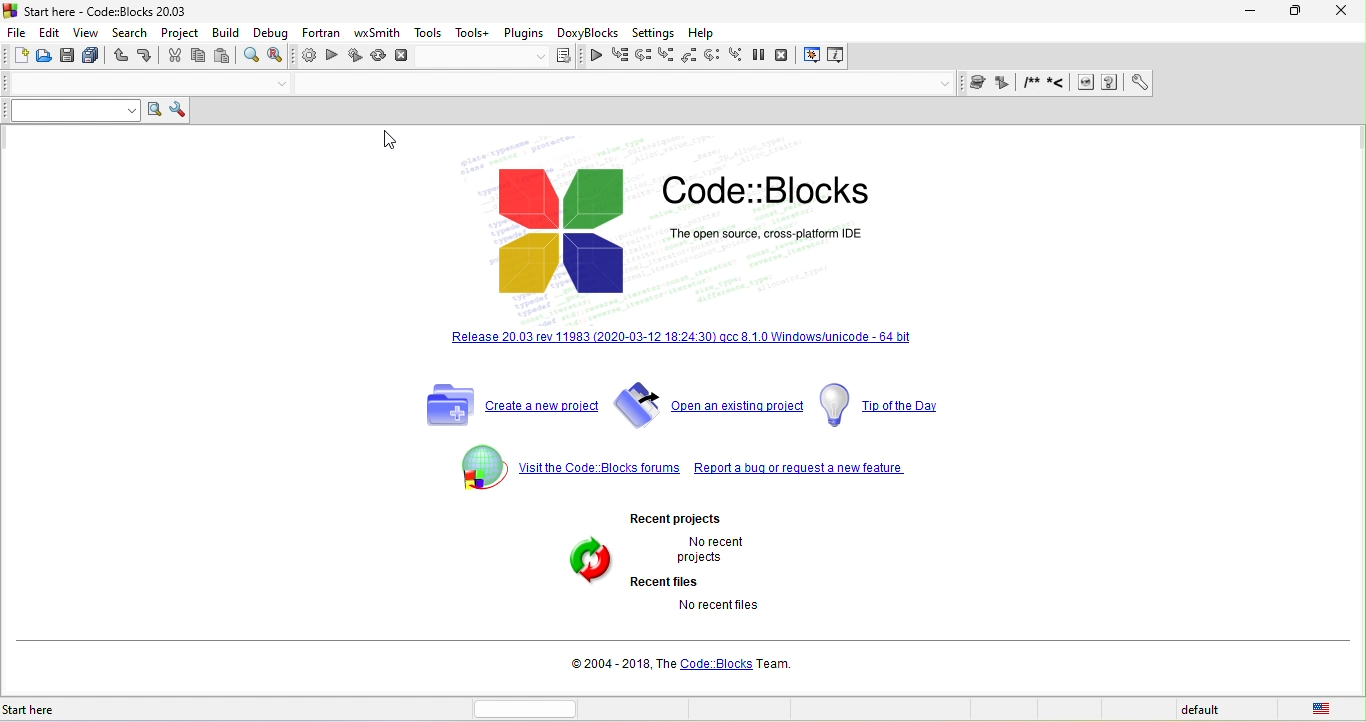  What do you see at coordinates (65, 56) in the screenshot?
I see `save` at bounding box center [65, 56].